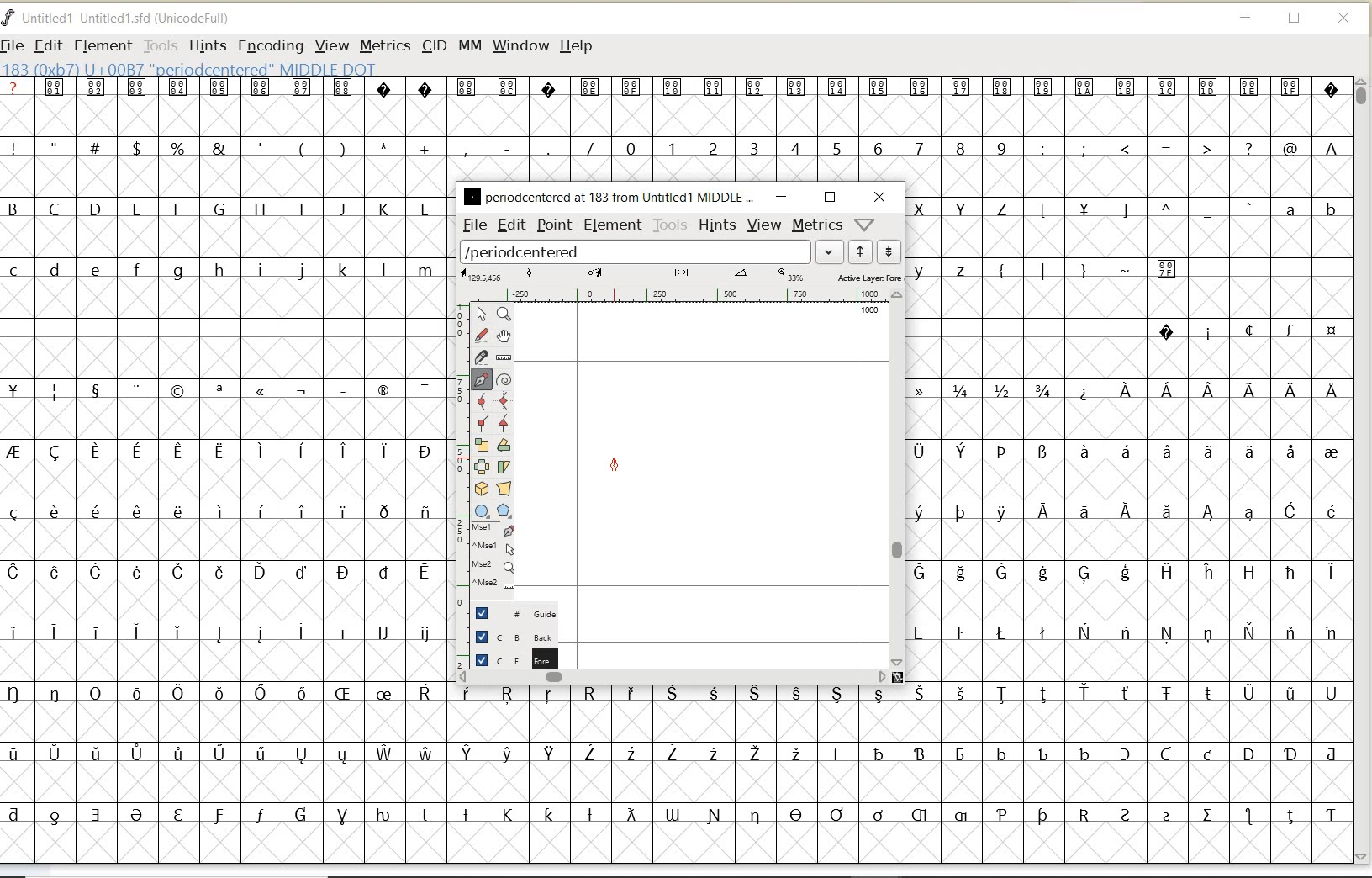  Describe the element at coordinates (891, 252) in the screenshot. I see `show next word list` at that location.